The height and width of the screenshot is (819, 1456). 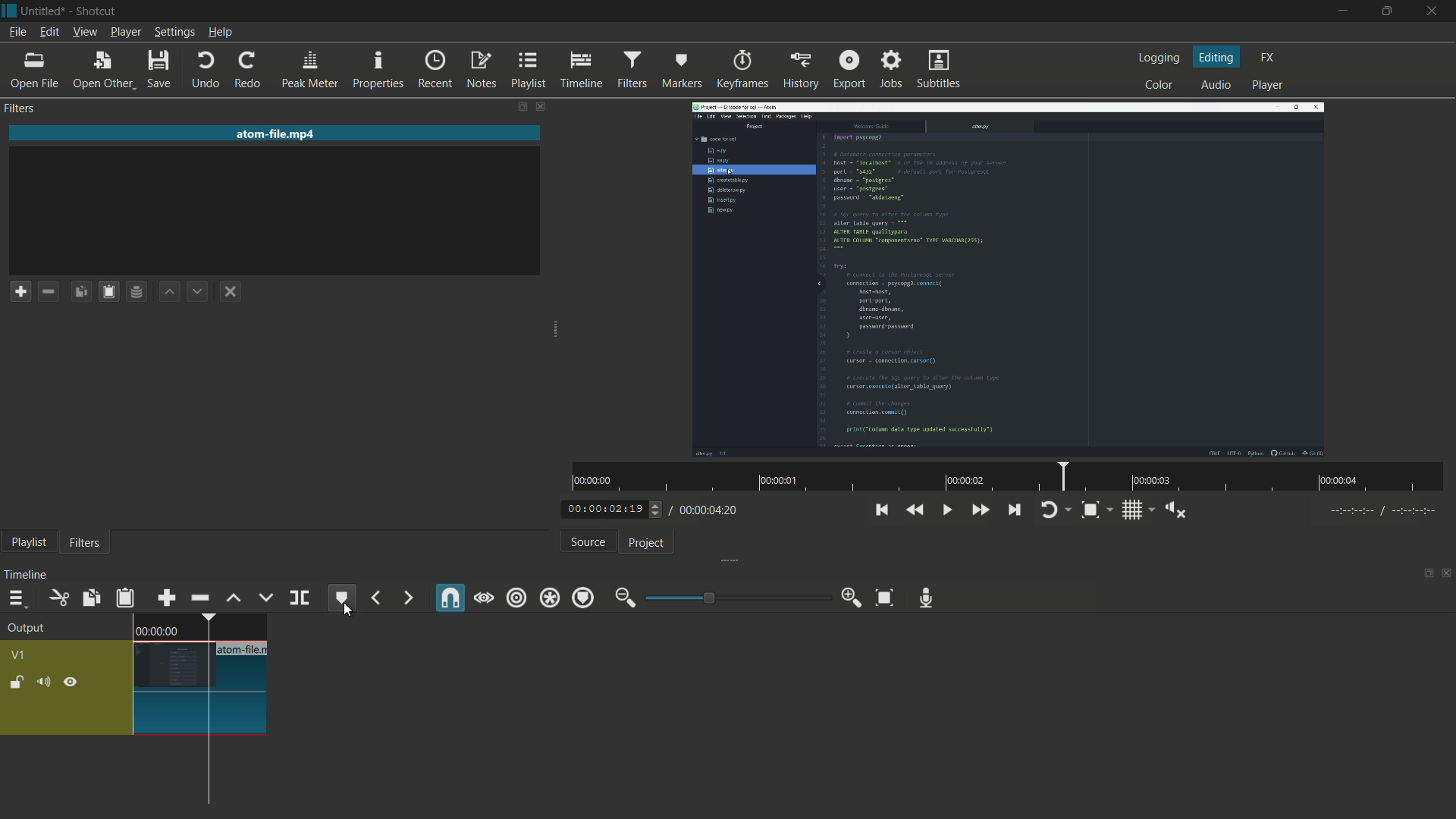 What do you see at coordinates (1343, 13) in the screenshot?
I see `minimize` at bounding box center [1343, 13].